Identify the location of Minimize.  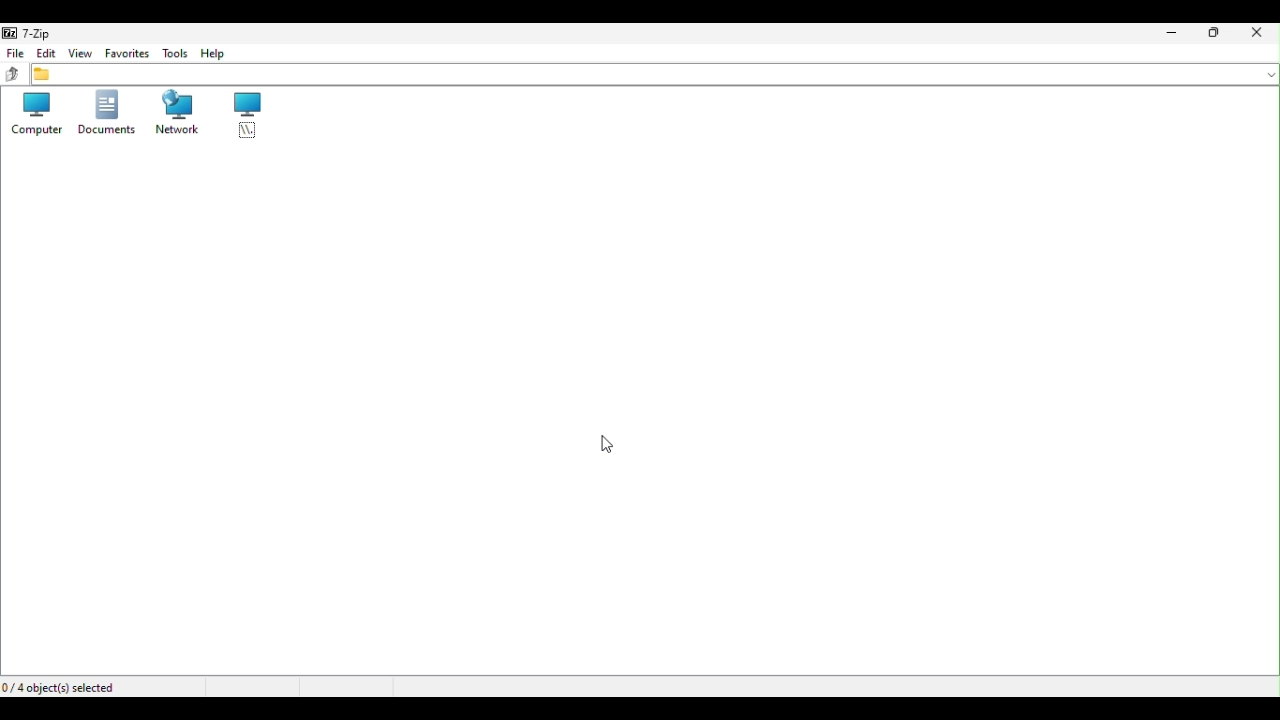
(1167, 32).